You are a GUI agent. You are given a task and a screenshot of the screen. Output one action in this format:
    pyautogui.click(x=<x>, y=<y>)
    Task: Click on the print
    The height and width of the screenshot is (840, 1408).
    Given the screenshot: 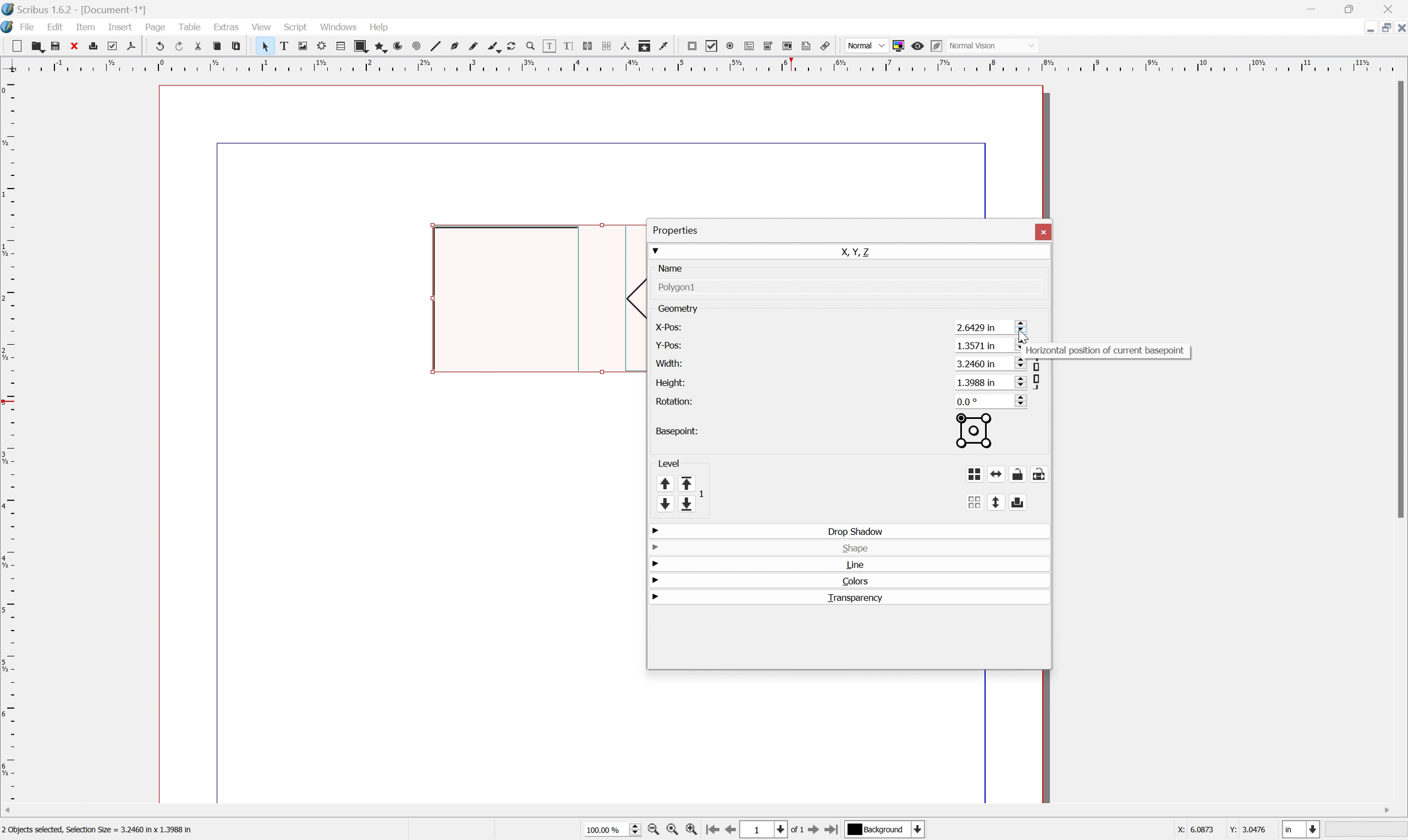 What is the action you would take?
    pyautogui.click(x=92, y=46)
    